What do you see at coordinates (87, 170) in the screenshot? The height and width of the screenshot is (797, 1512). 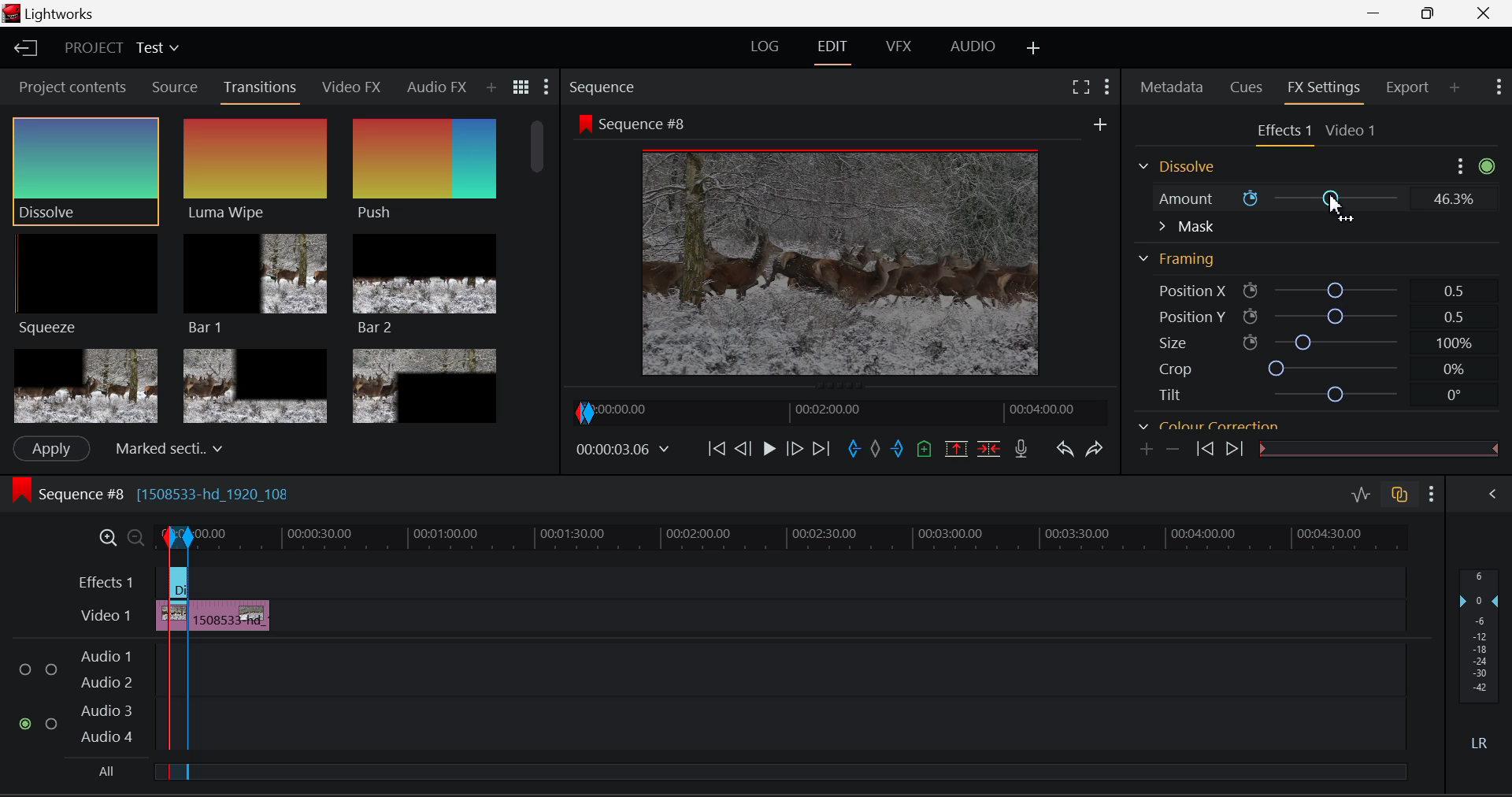 I see `Cursor MOUSE_DOWN on Dissolve` at bounding box center [87, 170].